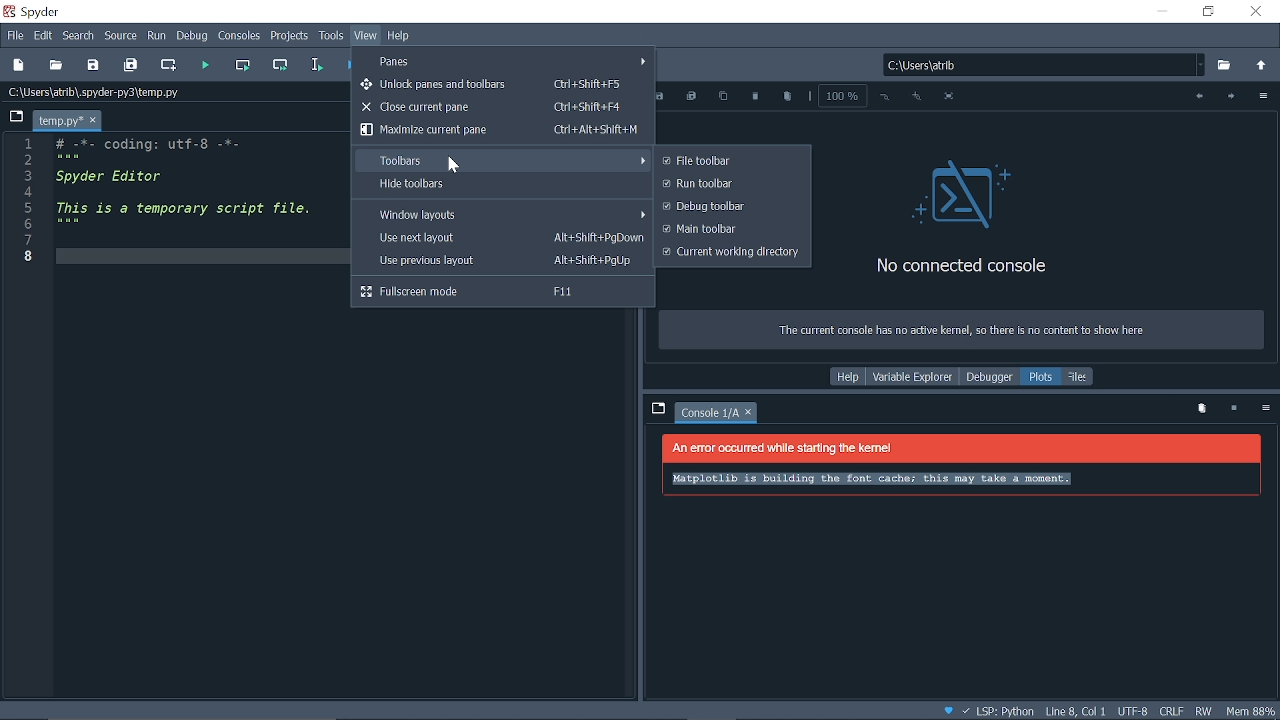  I want to click on Debug file, so click(349, 65).